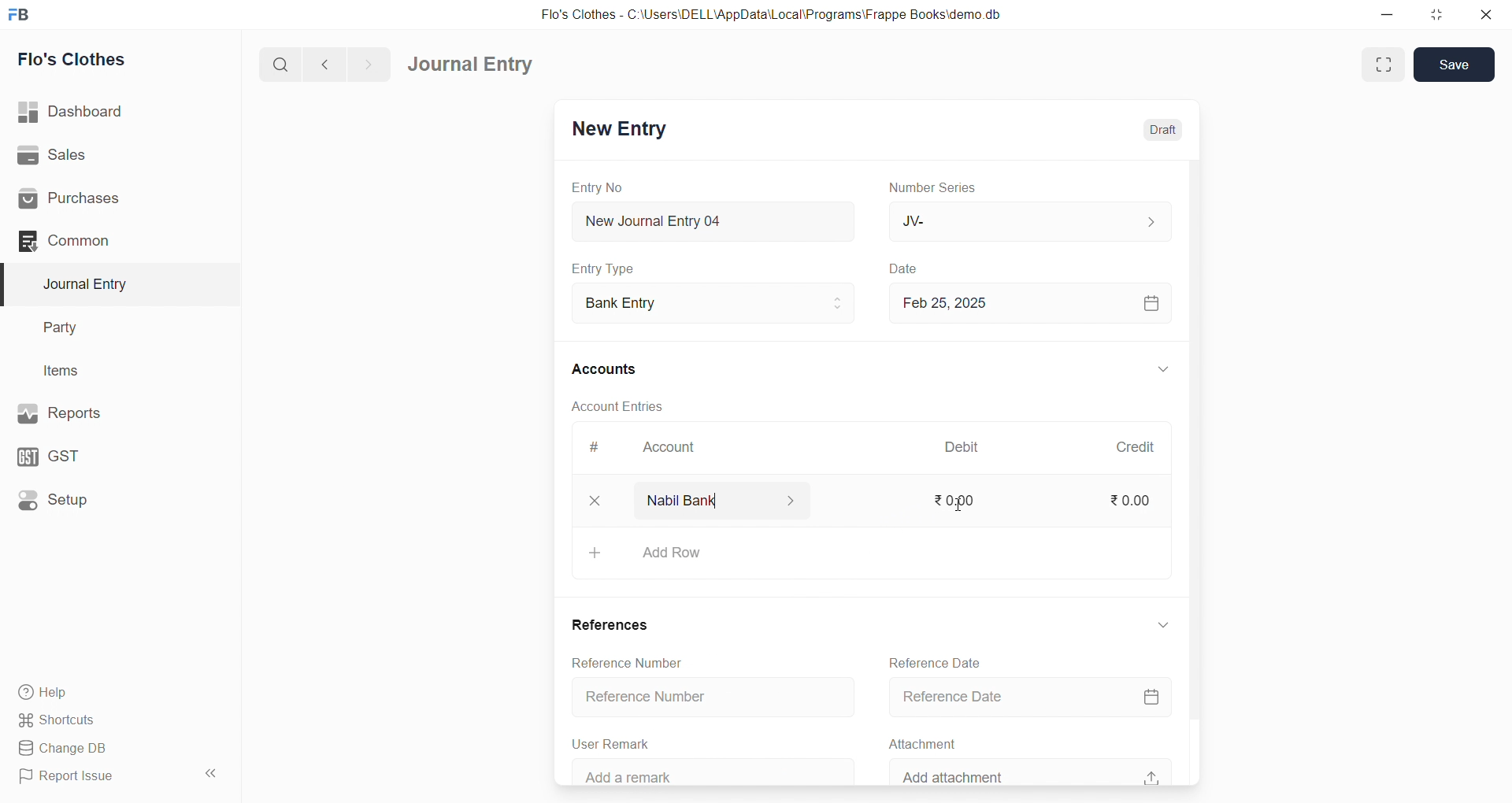 Image resolution: width=1512 pixels, height=803 pixels. I want to click on Collapse sidebar, so click(213, 776).